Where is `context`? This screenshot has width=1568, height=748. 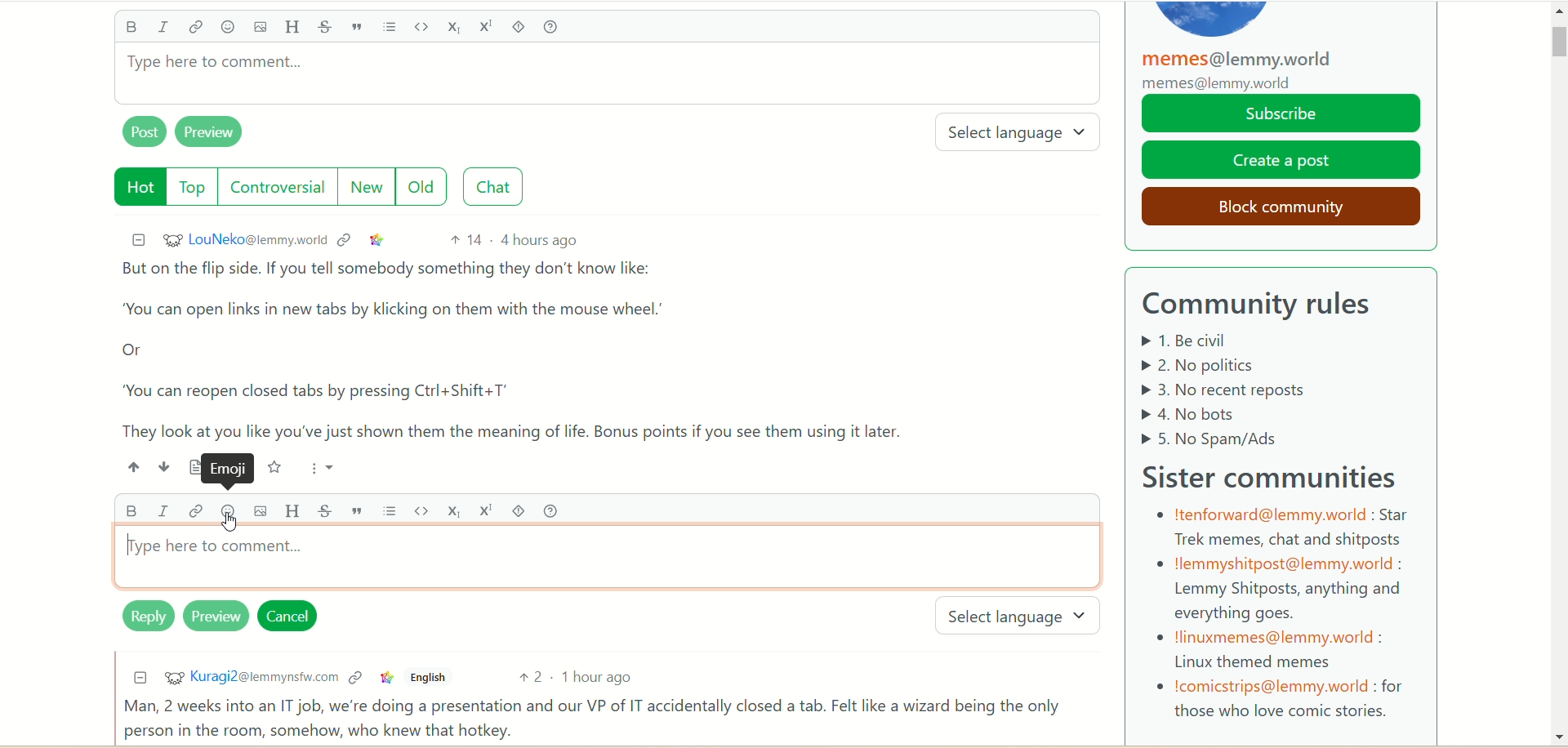
context is located at coordinates (354, 679).